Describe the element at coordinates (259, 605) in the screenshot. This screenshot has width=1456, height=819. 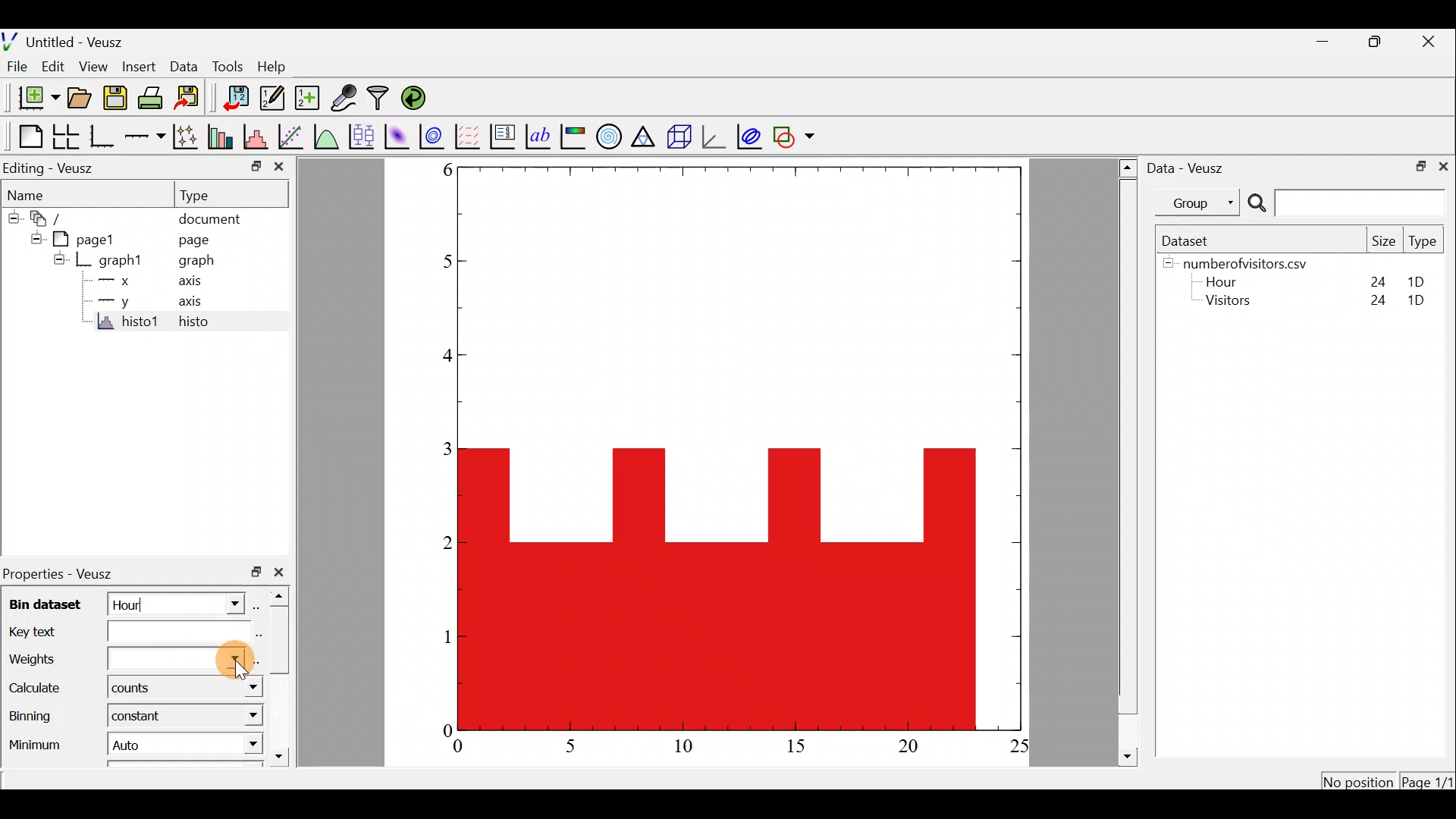
I see `select using dataset browser` at that location.